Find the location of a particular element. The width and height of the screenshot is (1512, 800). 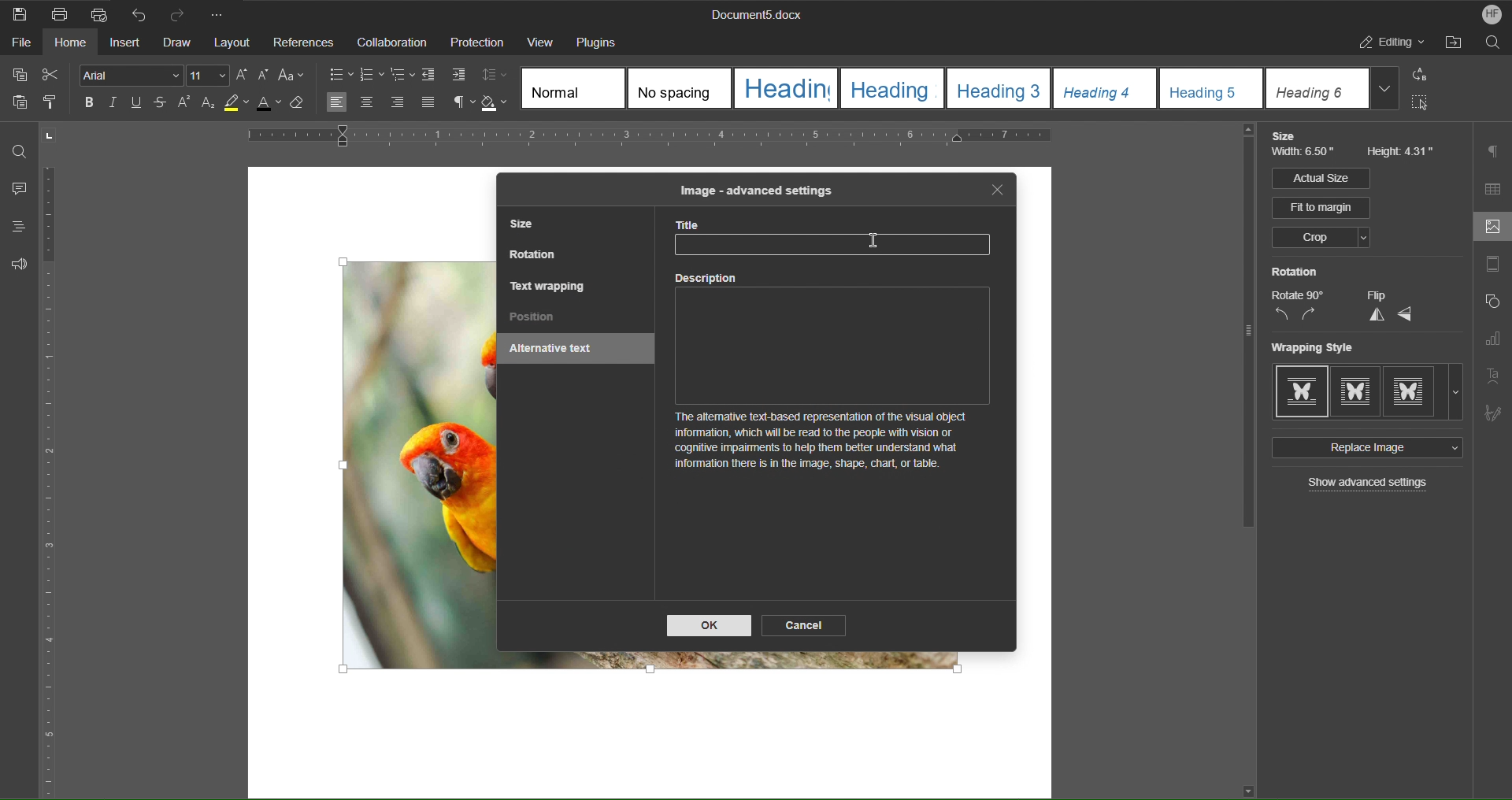

Rotation is located at coordinates (1295, 272).